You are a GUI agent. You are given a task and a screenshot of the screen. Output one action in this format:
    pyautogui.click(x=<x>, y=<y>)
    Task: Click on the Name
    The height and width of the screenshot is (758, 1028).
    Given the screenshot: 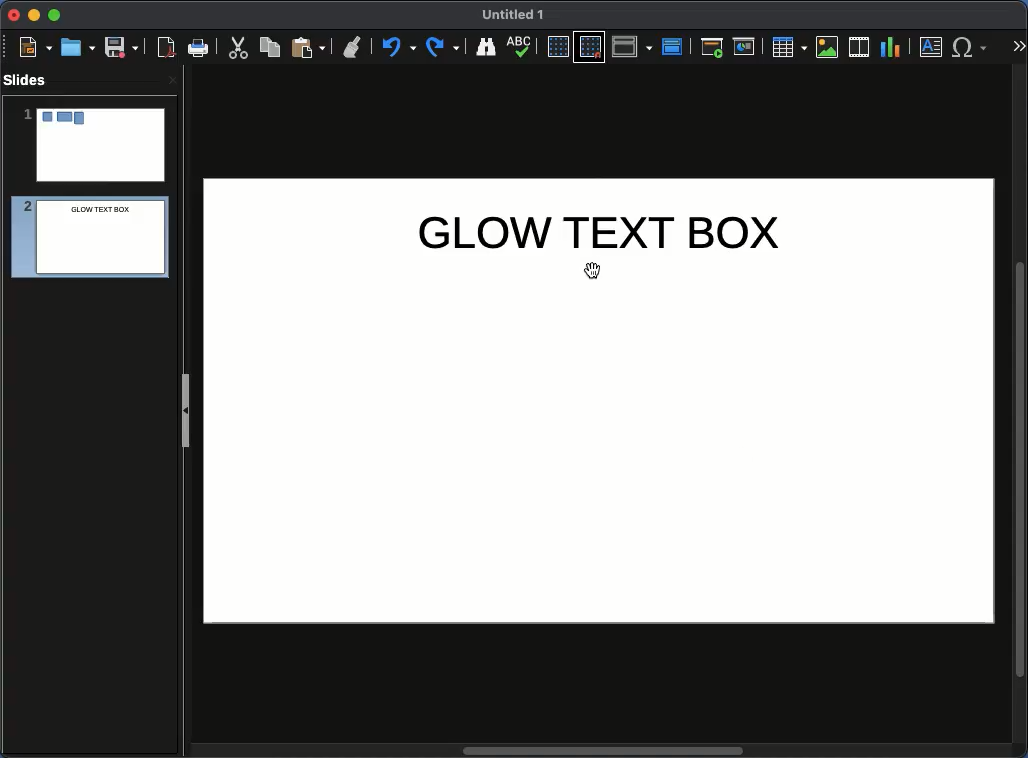 What is the action you would take?
    pyautogui.click(x=514, y=15)
    